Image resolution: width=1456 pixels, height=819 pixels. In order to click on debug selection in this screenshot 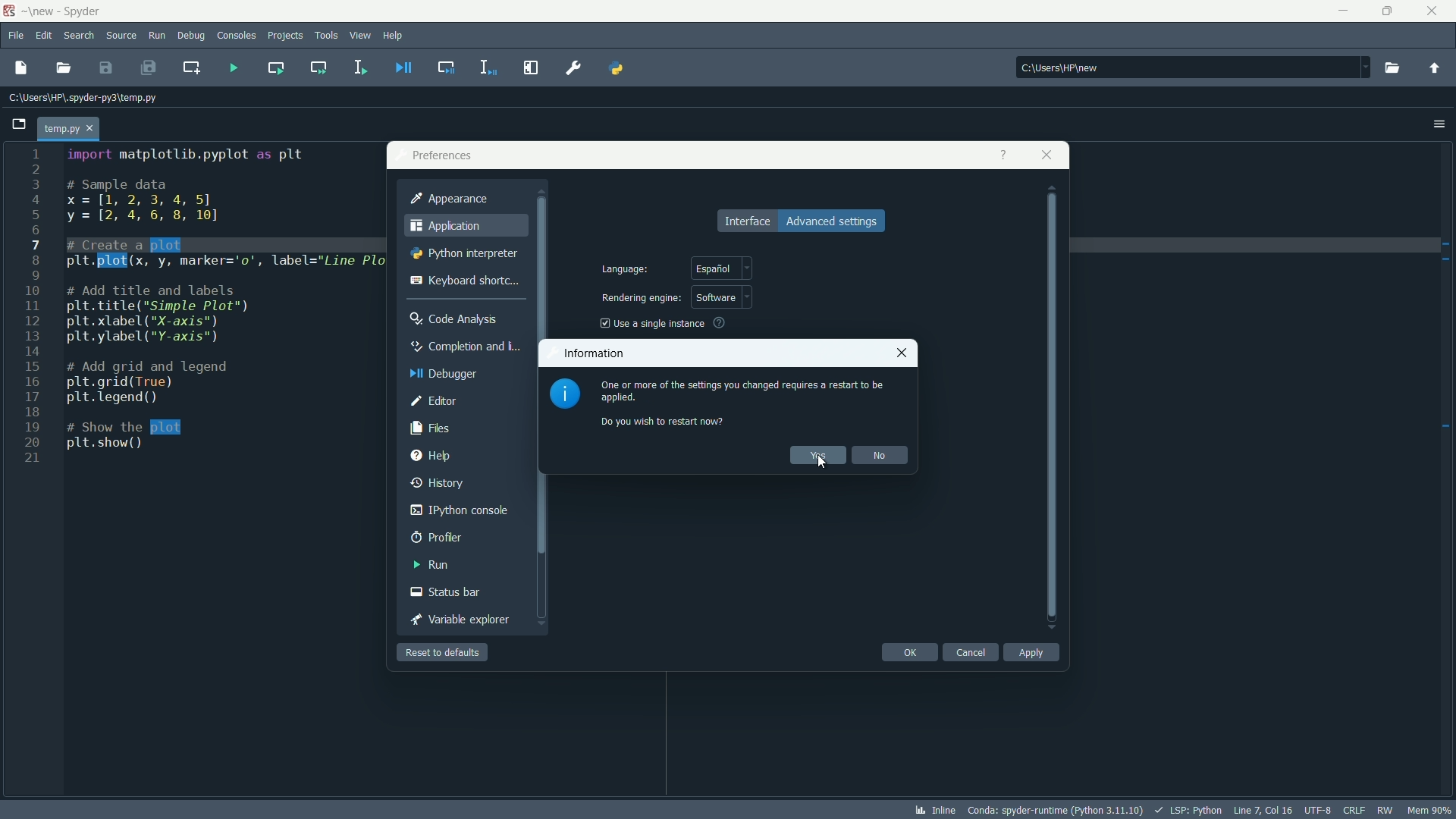, I will do `click(488, 67)`.